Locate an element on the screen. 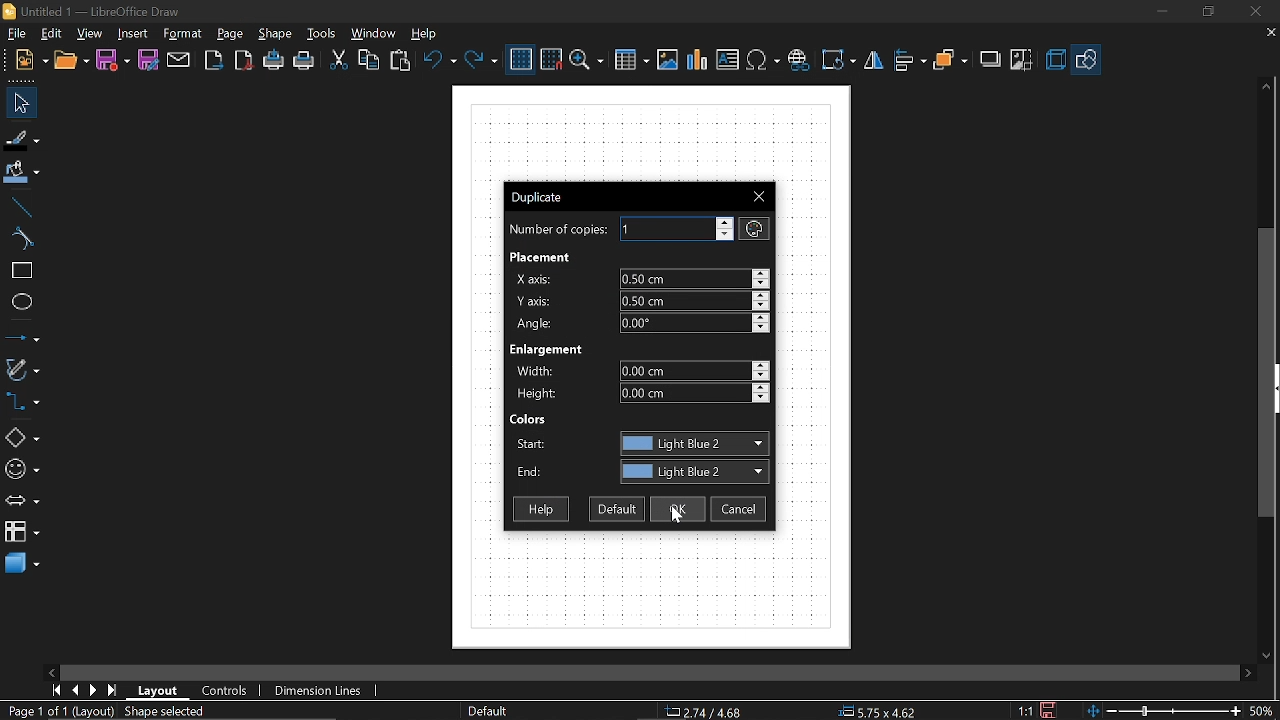 The height and width of the screenshot is (720, 1280). Insert chart is located at coordinates (698, 60).